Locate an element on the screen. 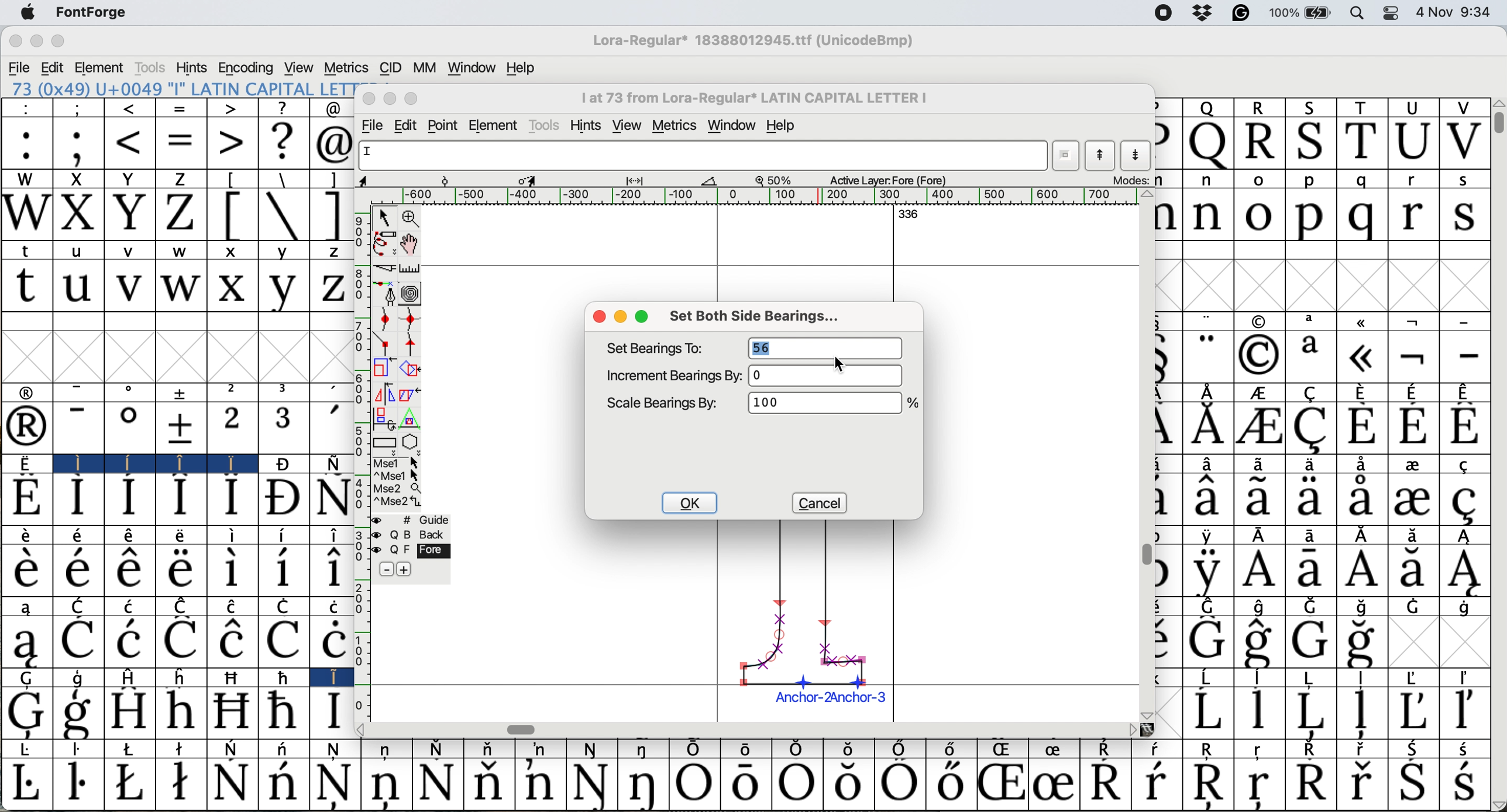 This screenshot has height=812, width=1507. W is located at coordinates (26, 215).